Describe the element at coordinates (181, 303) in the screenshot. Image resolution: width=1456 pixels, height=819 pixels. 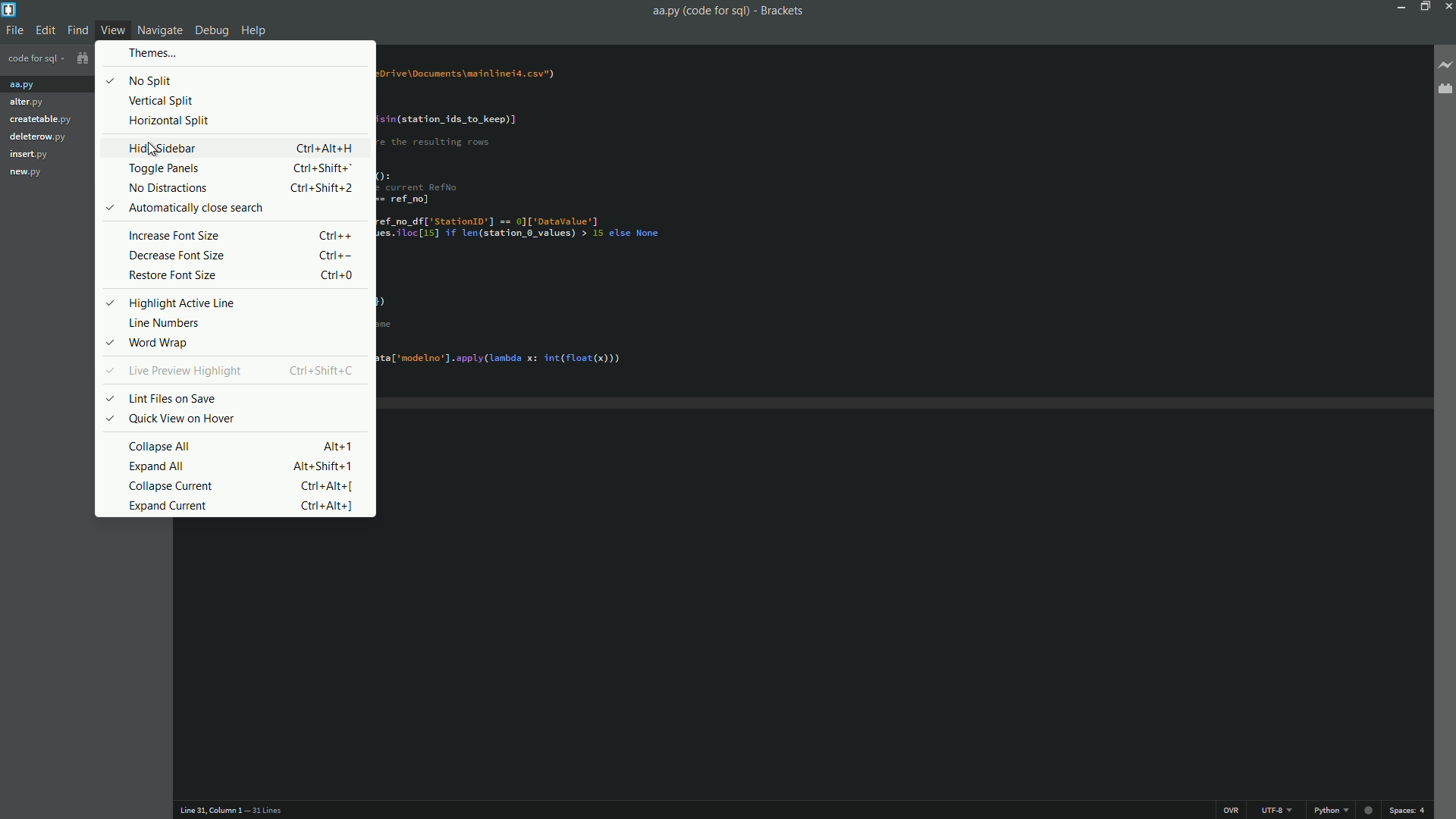
I see `highlight active line button` at that location.